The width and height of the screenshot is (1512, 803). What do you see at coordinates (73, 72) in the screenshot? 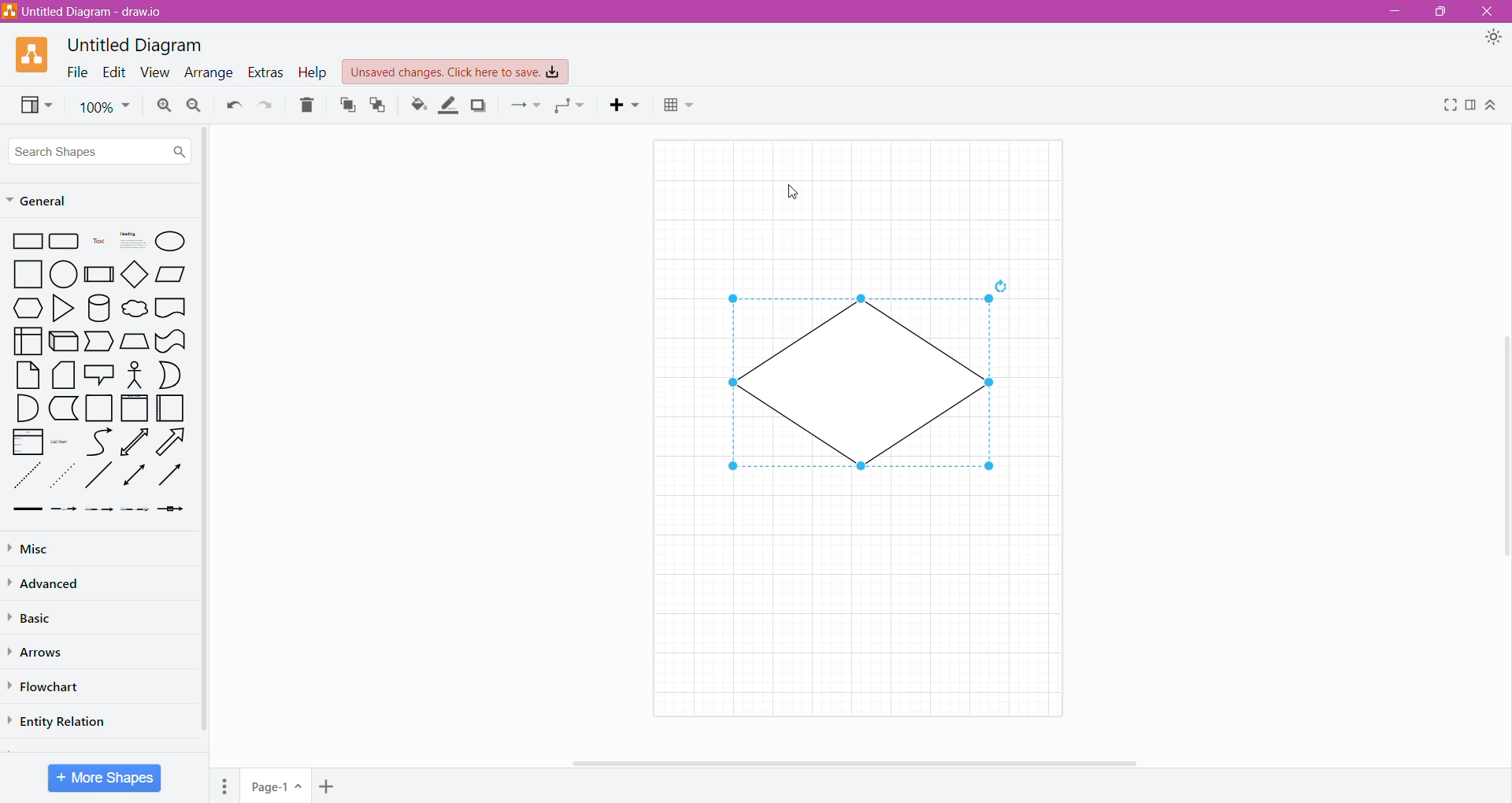
I see `File` at bounding box center [73, 72].